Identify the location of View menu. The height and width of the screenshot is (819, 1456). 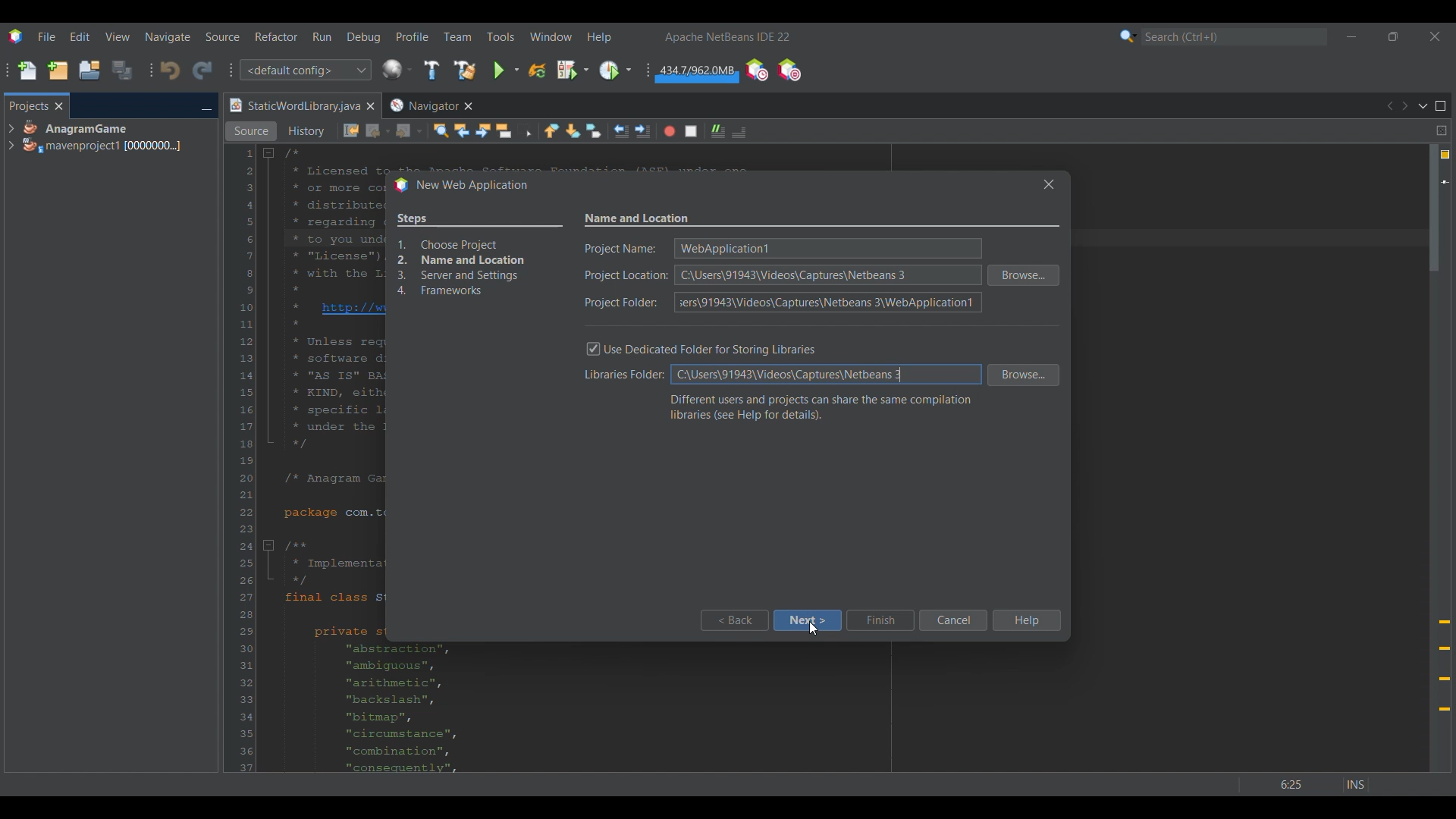
(118, 36).